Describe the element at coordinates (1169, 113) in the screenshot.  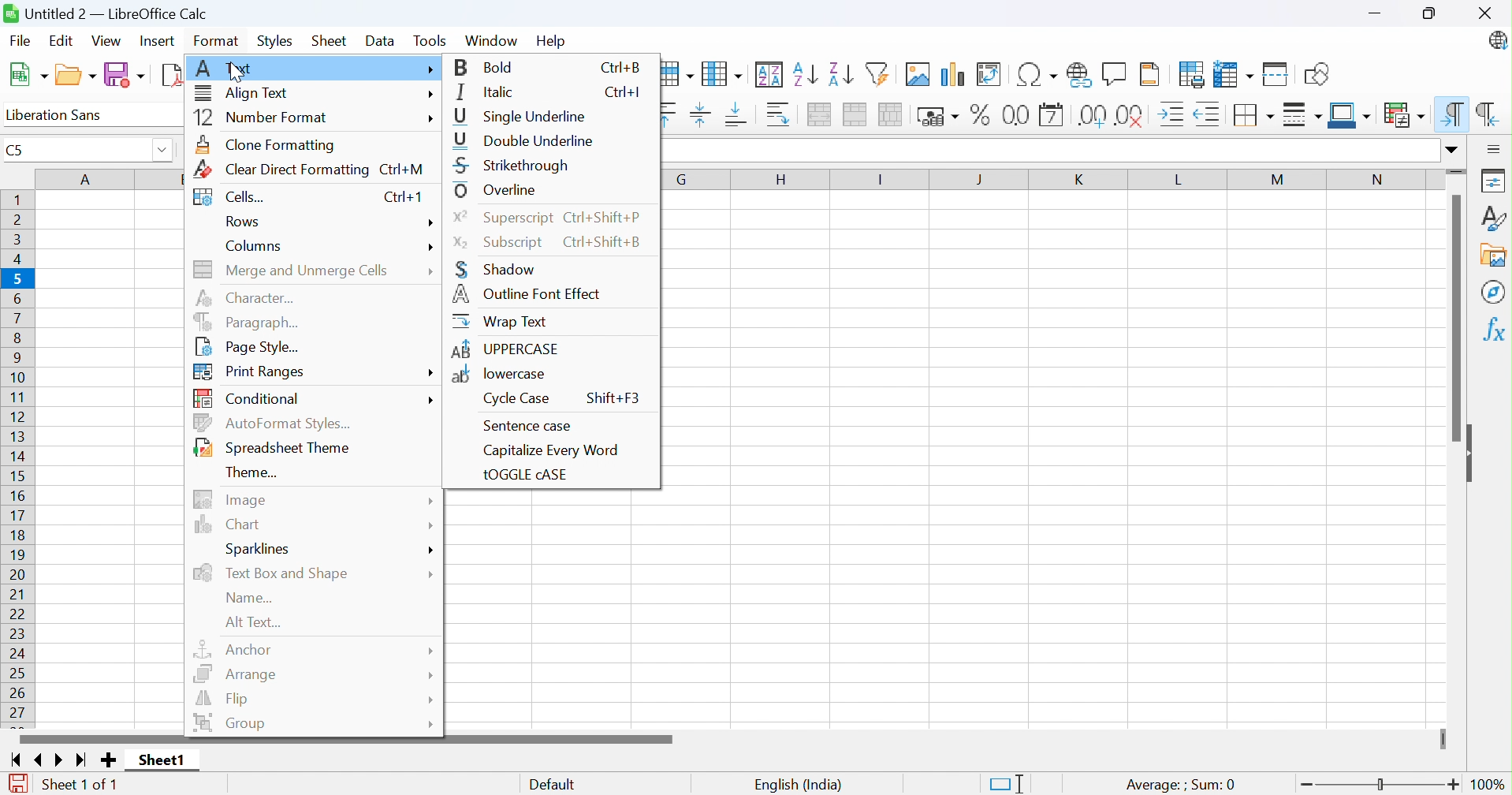
I see `Increase indent` at that location.